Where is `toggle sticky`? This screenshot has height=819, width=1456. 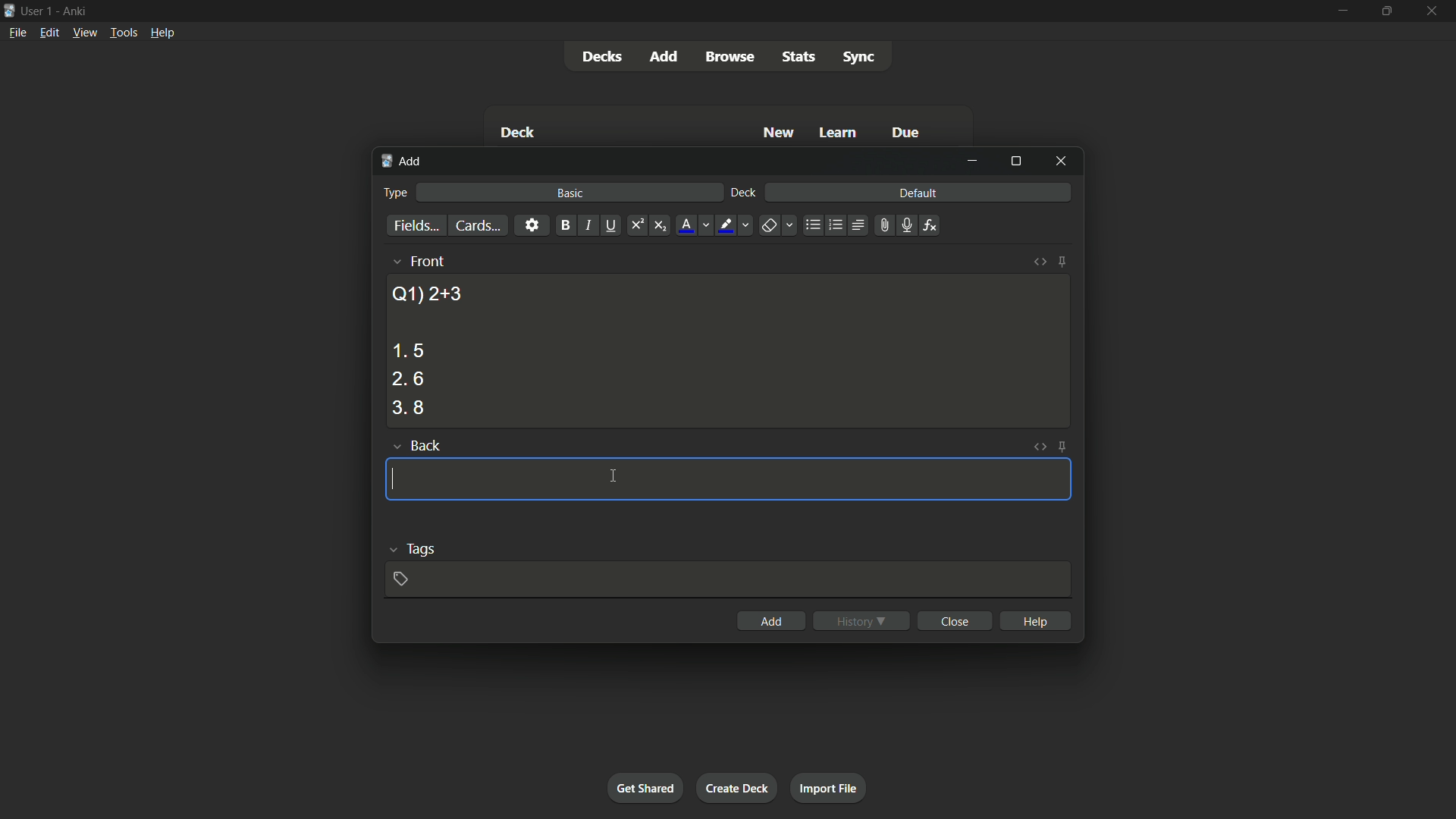 toggle sticky is located at coordinates (1062, 262).